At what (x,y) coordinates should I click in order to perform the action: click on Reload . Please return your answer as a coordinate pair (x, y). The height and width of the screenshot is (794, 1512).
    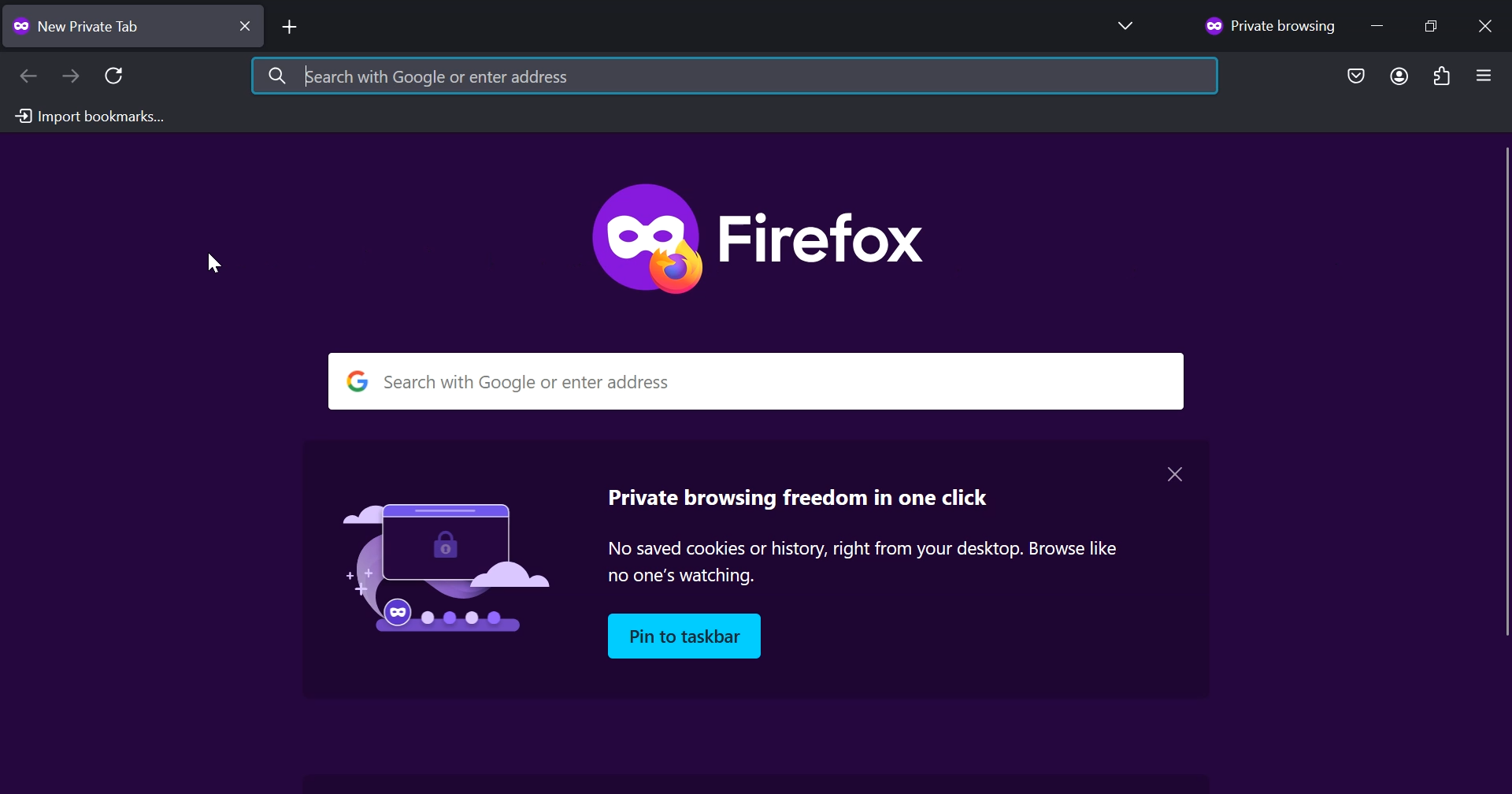
    Looking at the image, I should click on (117, 77).